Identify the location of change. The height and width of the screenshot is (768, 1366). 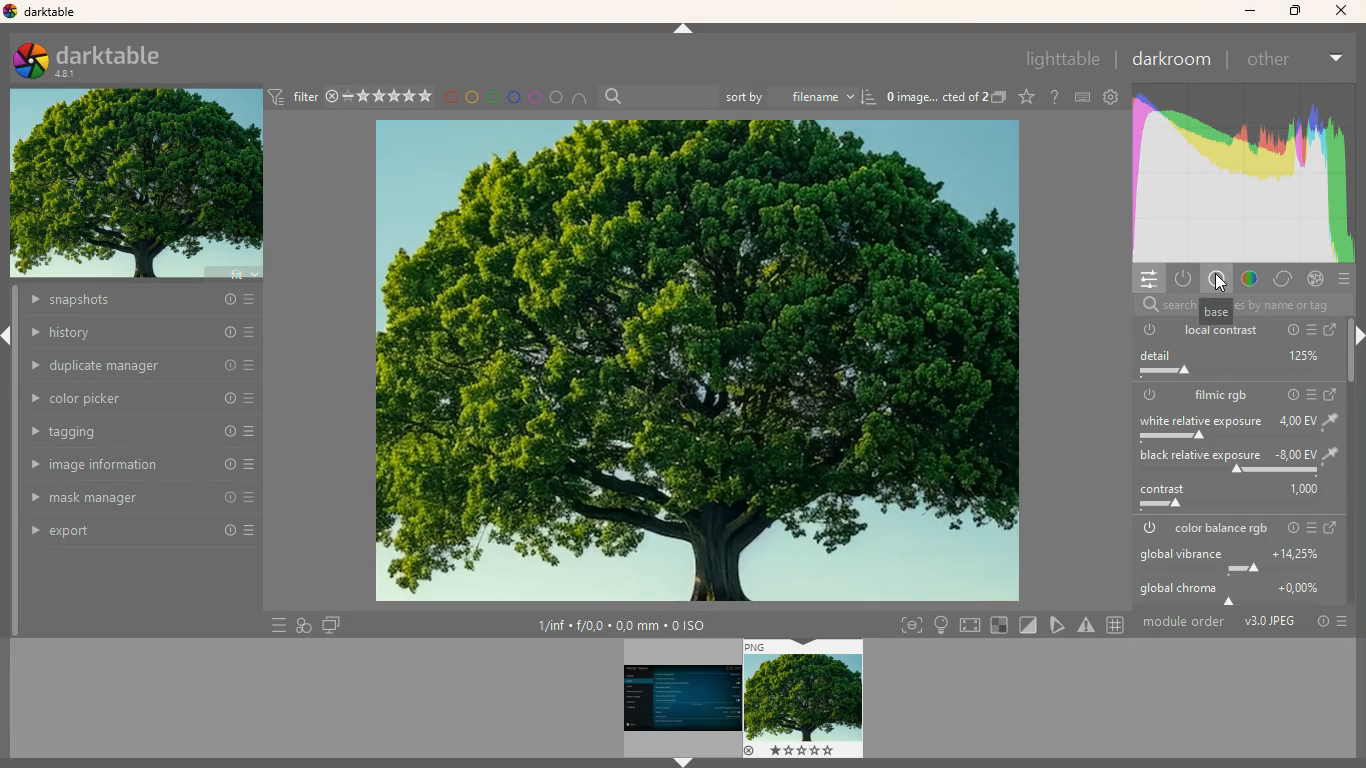
(1331, 331).